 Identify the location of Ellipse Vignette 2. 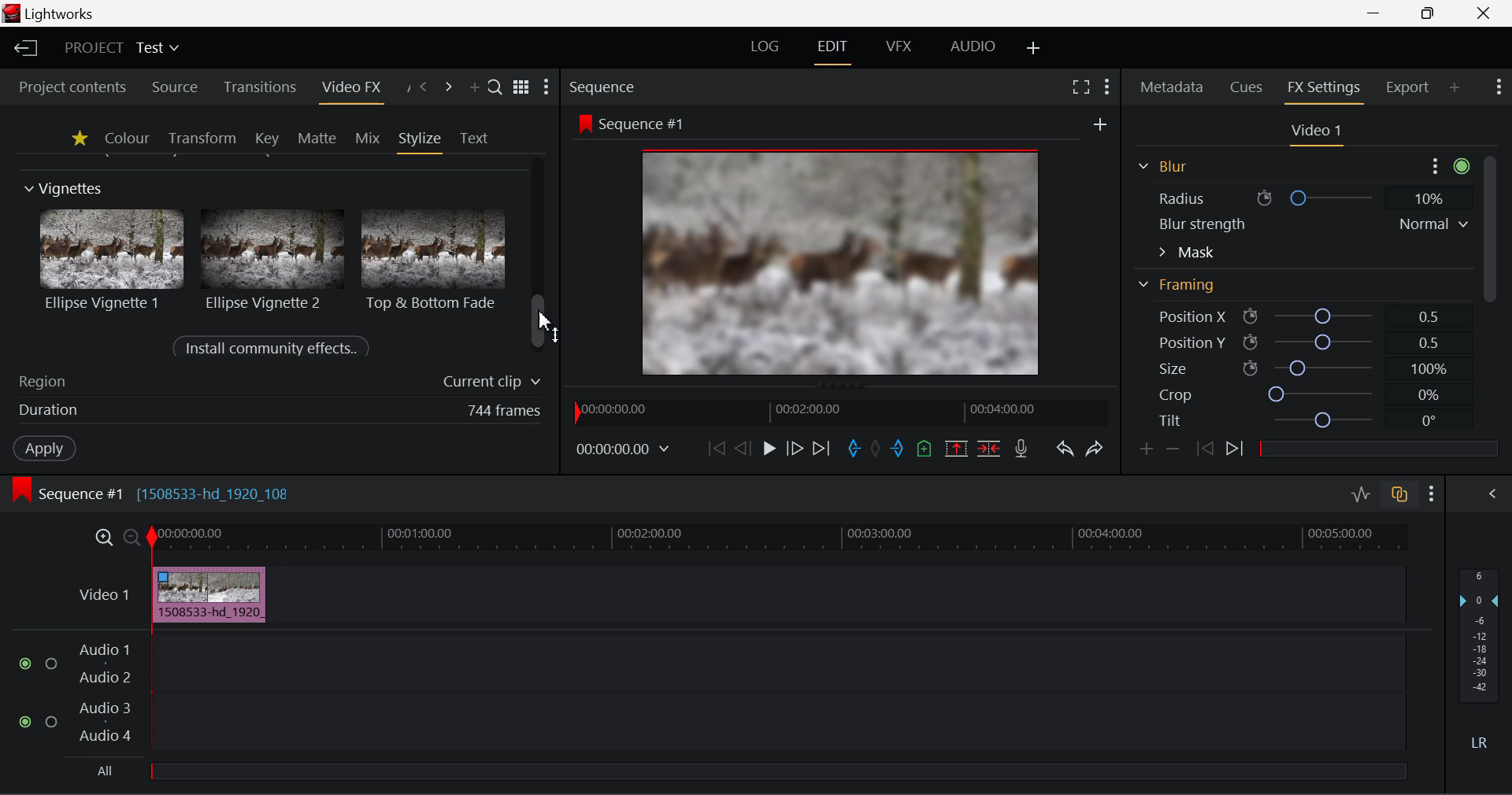
(271, 258).